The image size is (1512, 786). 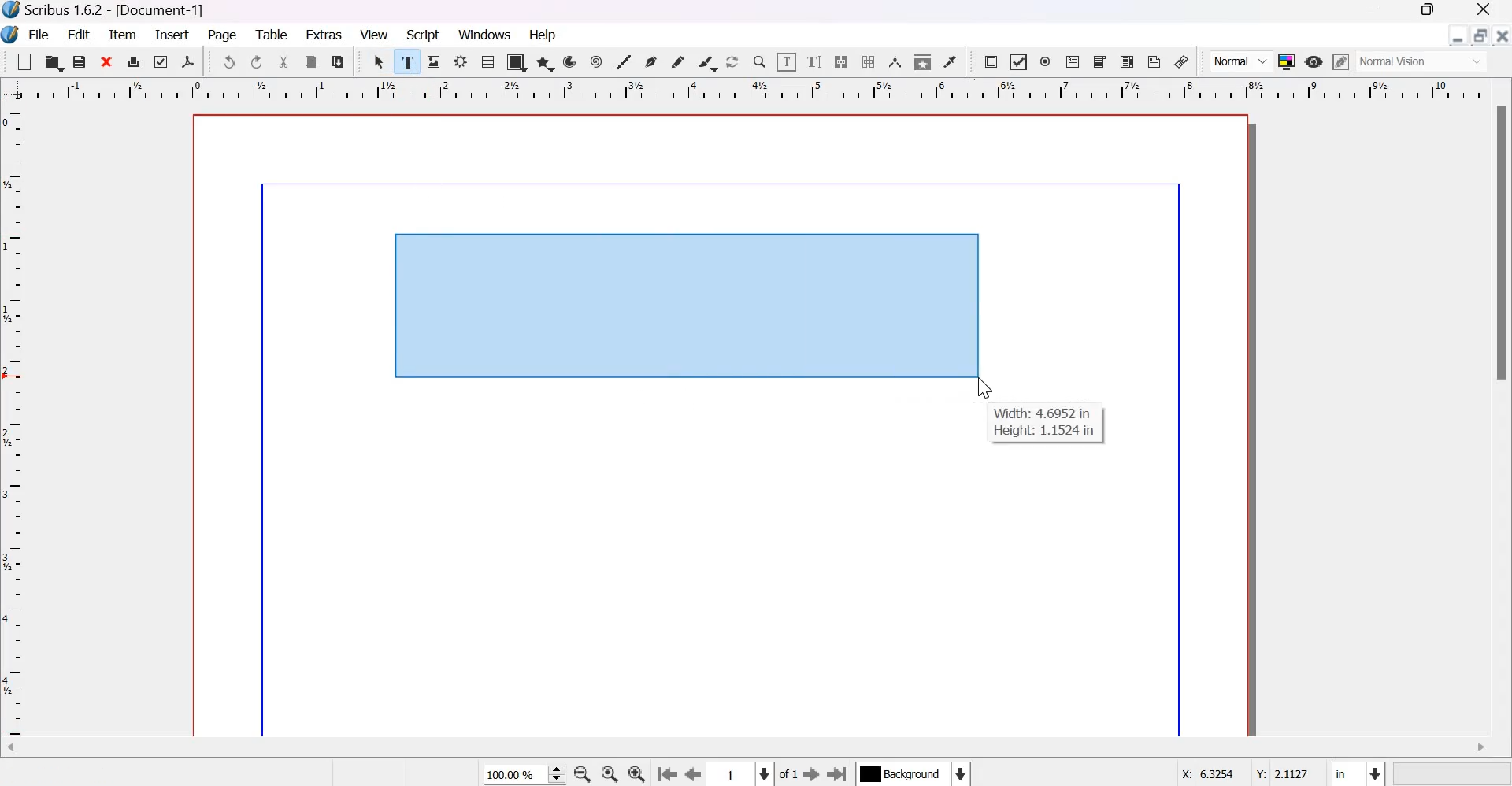 What do you see at coordinates (37, 35) in the screenshot?
I see `File` at bounding box center [37, 35].